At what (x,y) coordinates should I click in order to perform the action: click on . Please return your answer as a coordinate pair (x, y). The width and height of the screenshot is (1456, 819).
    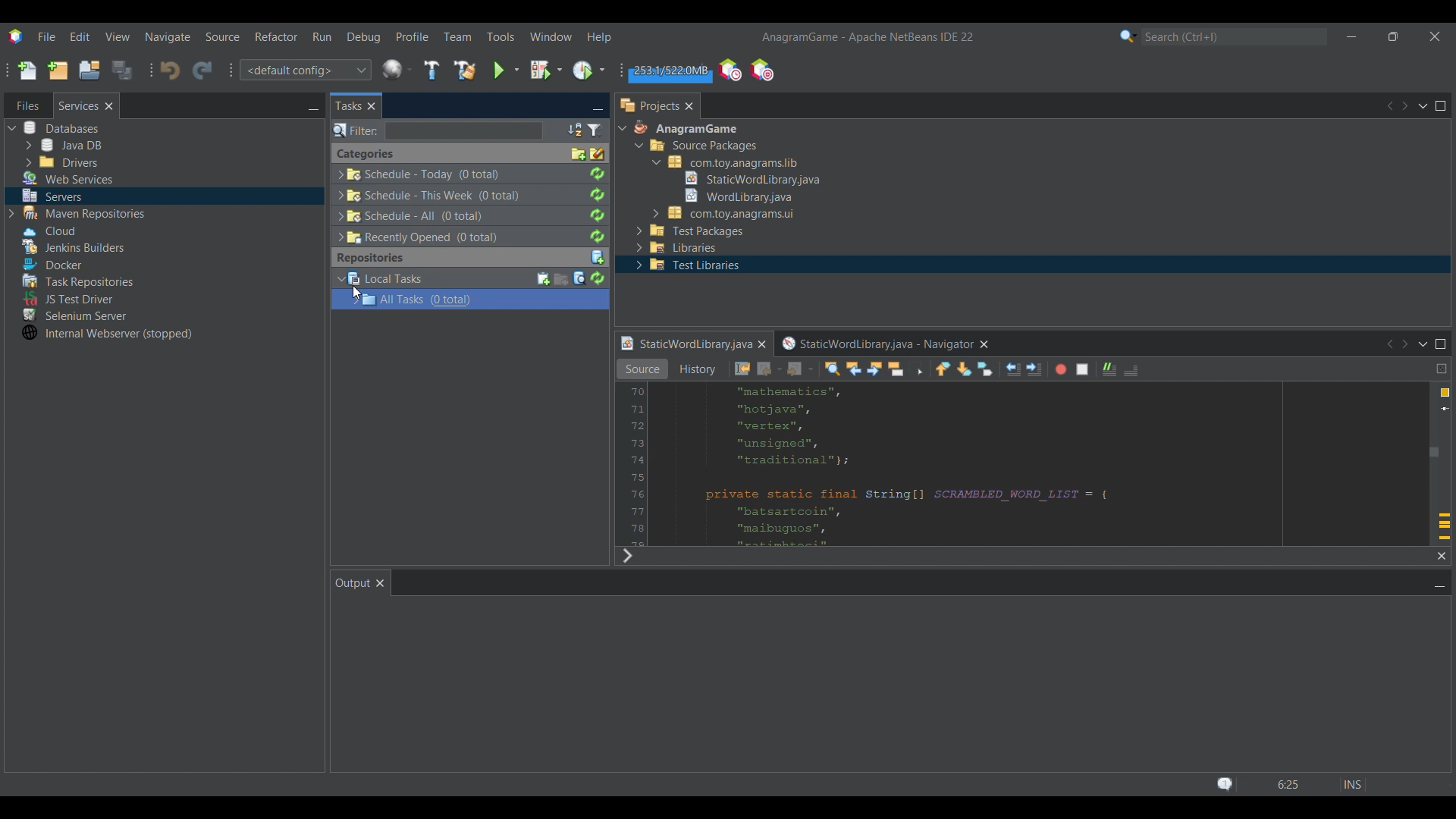
    Looking at the image, I should click on (1029, 467).